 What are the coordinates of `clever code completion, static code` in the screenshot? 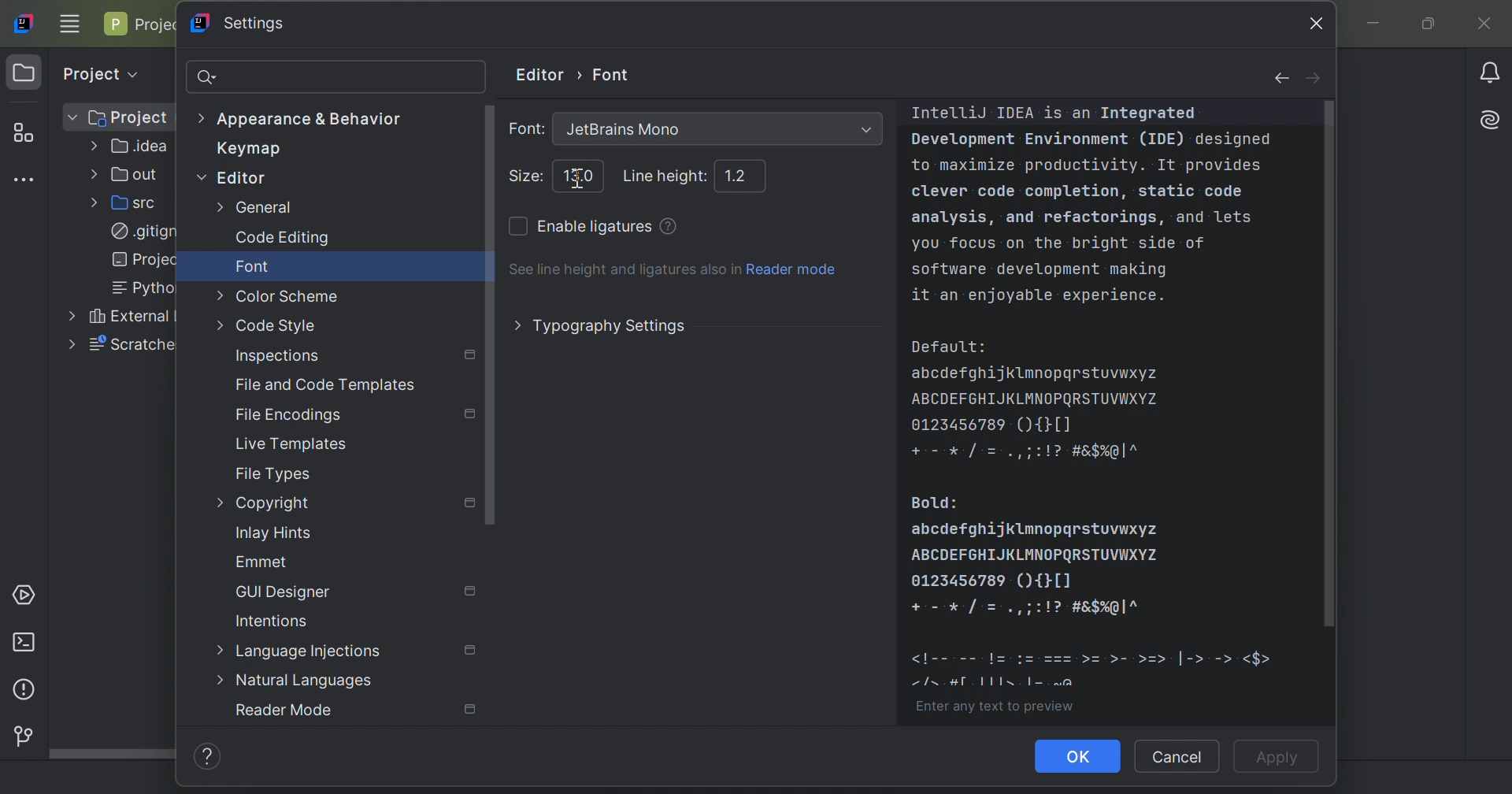 It's located at (1073, 190).